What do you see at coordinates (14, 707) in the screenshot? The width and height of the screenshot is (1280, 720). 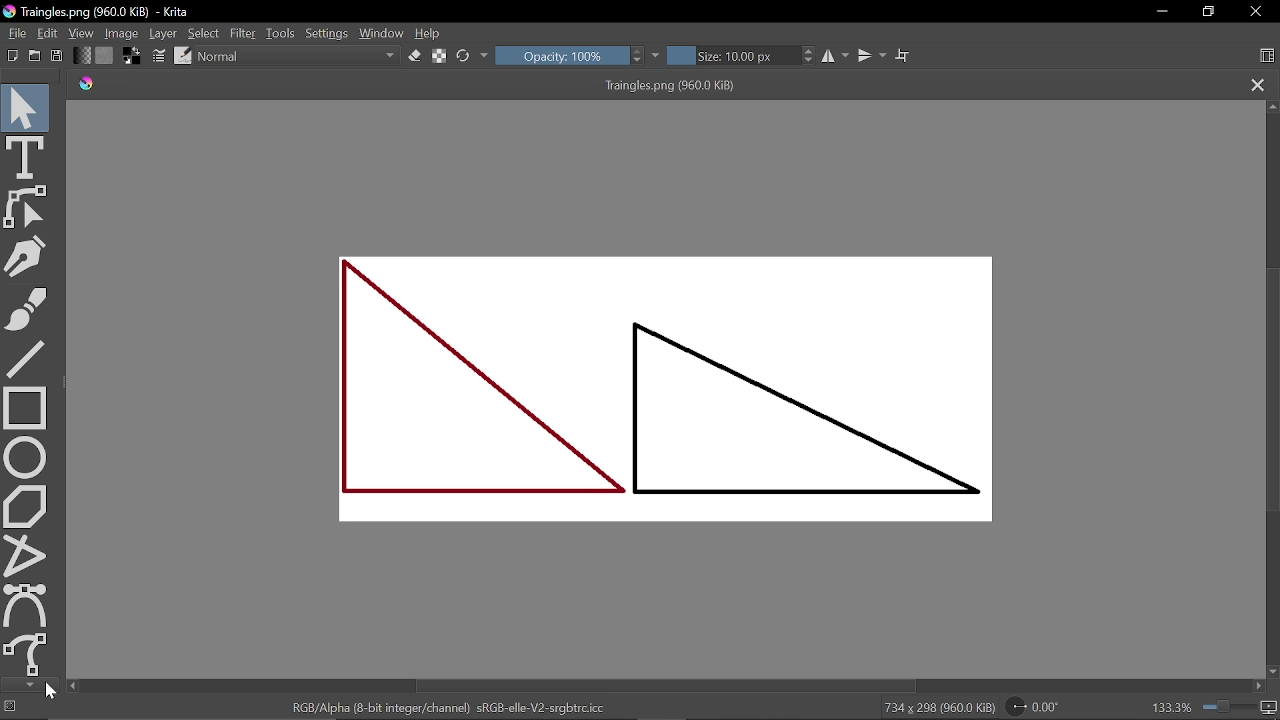 I see `No selection` at bounding box center [14, 707].